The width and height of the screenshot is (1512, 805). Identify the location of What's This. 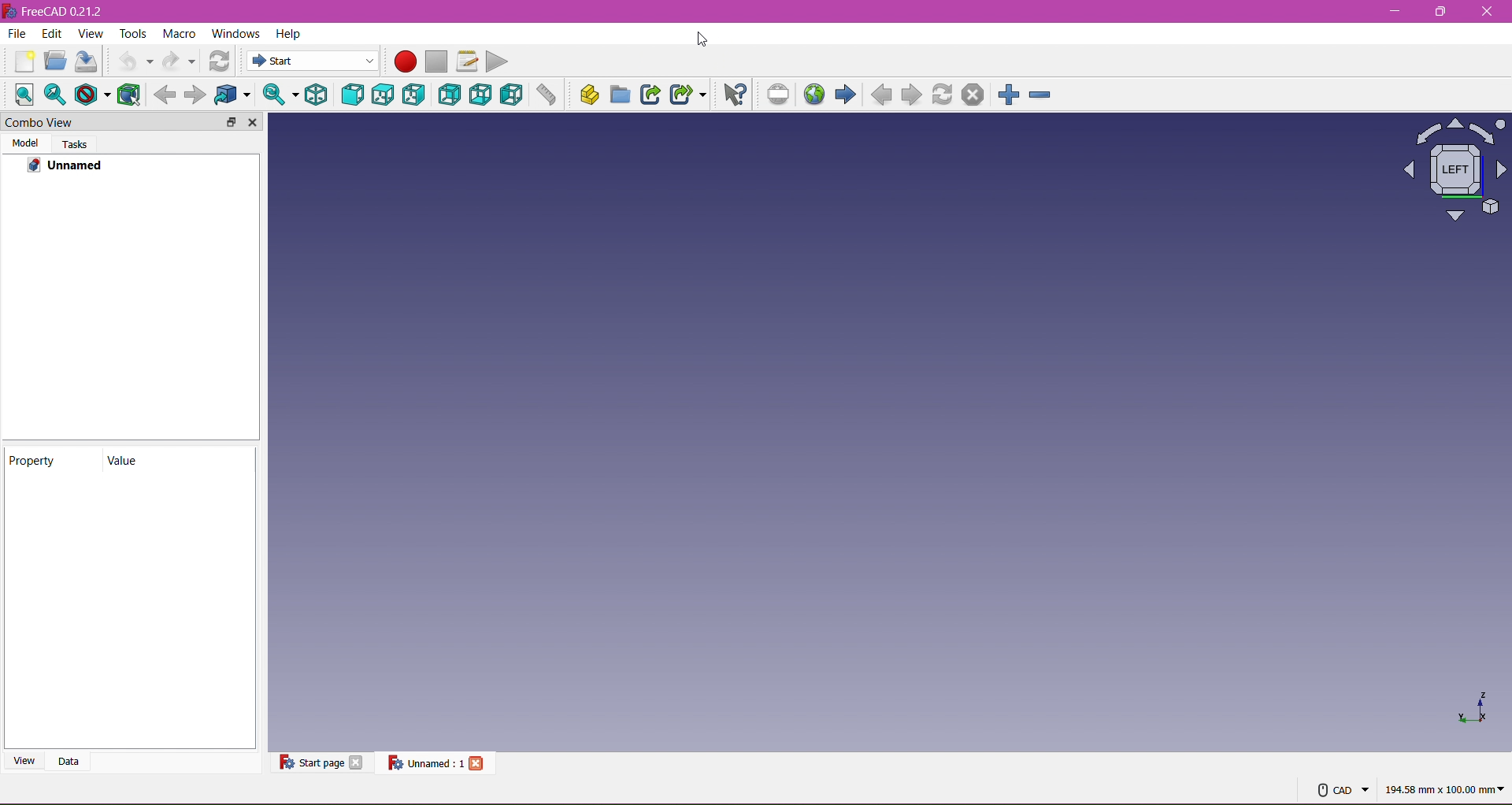
(734, 95).